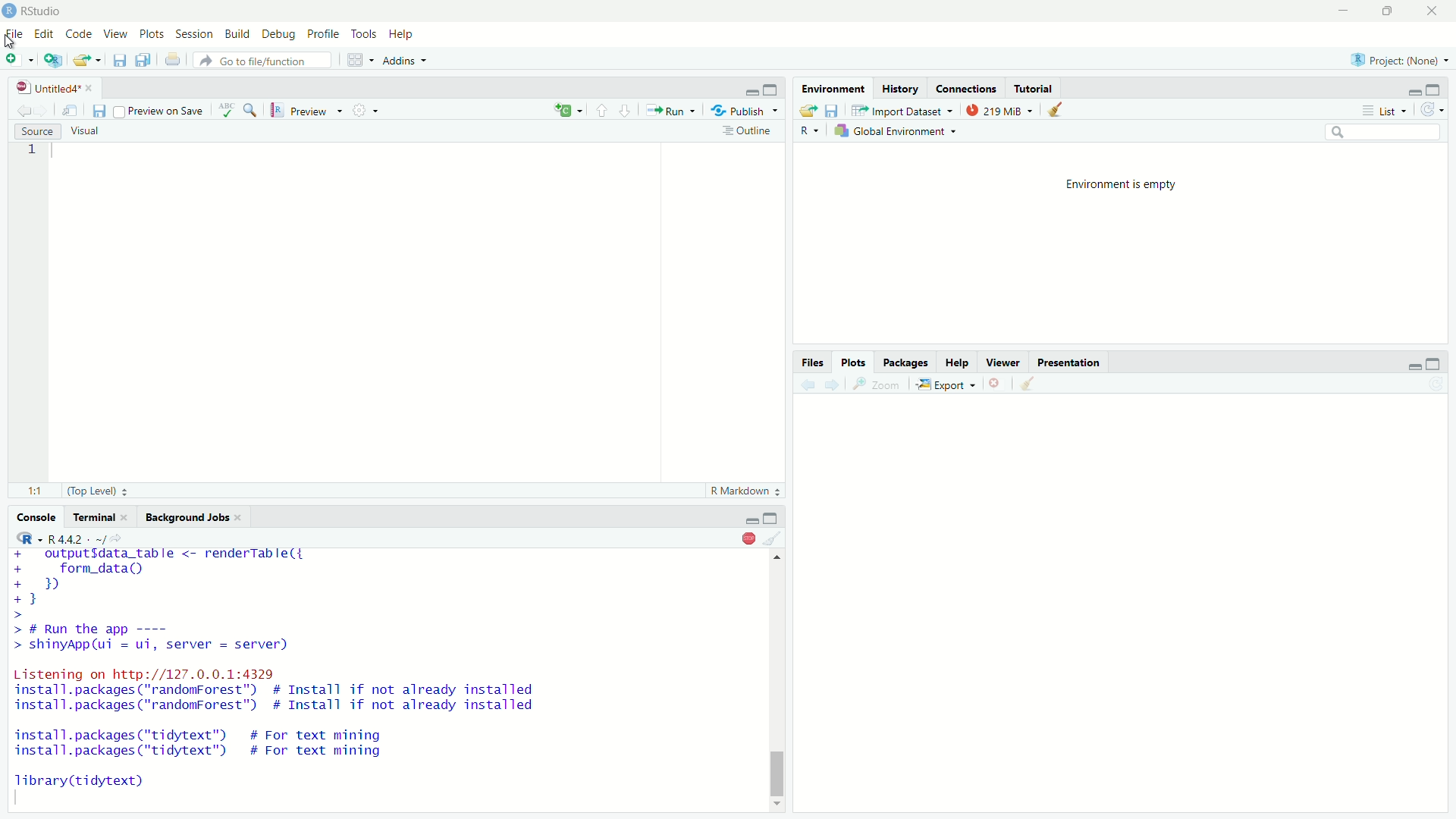 This screenshot has width=1456, height=819. Describe the element at coordinates (813, 132) in the screenshot. I see `currently used language - R` at that location.